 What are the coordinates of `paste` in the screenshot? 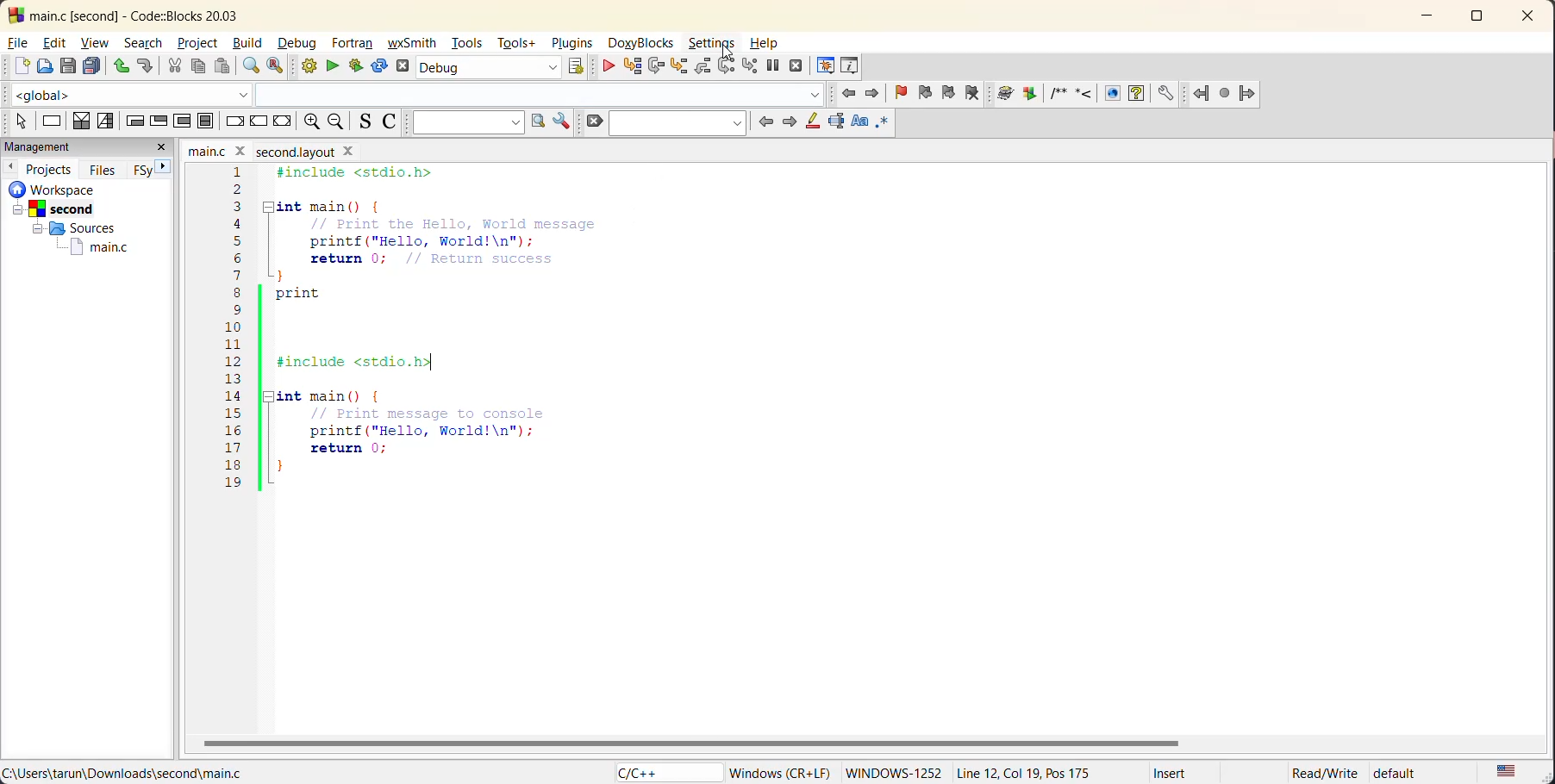 It's located at (222, 66).